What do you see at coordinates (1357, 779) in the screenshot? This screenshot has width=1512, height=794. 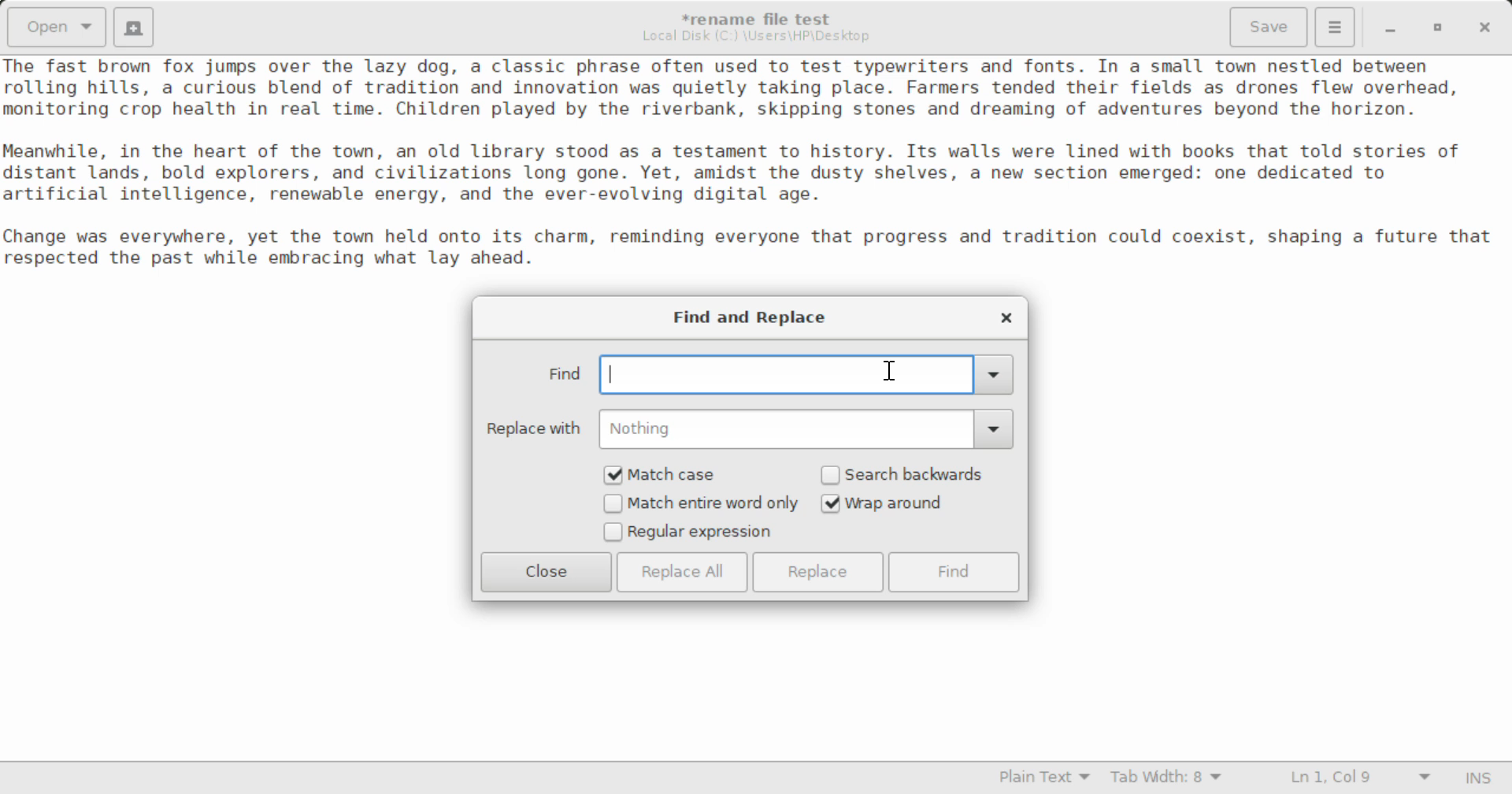 I see `Line and Character Count` at bounding box center [1357, 779].